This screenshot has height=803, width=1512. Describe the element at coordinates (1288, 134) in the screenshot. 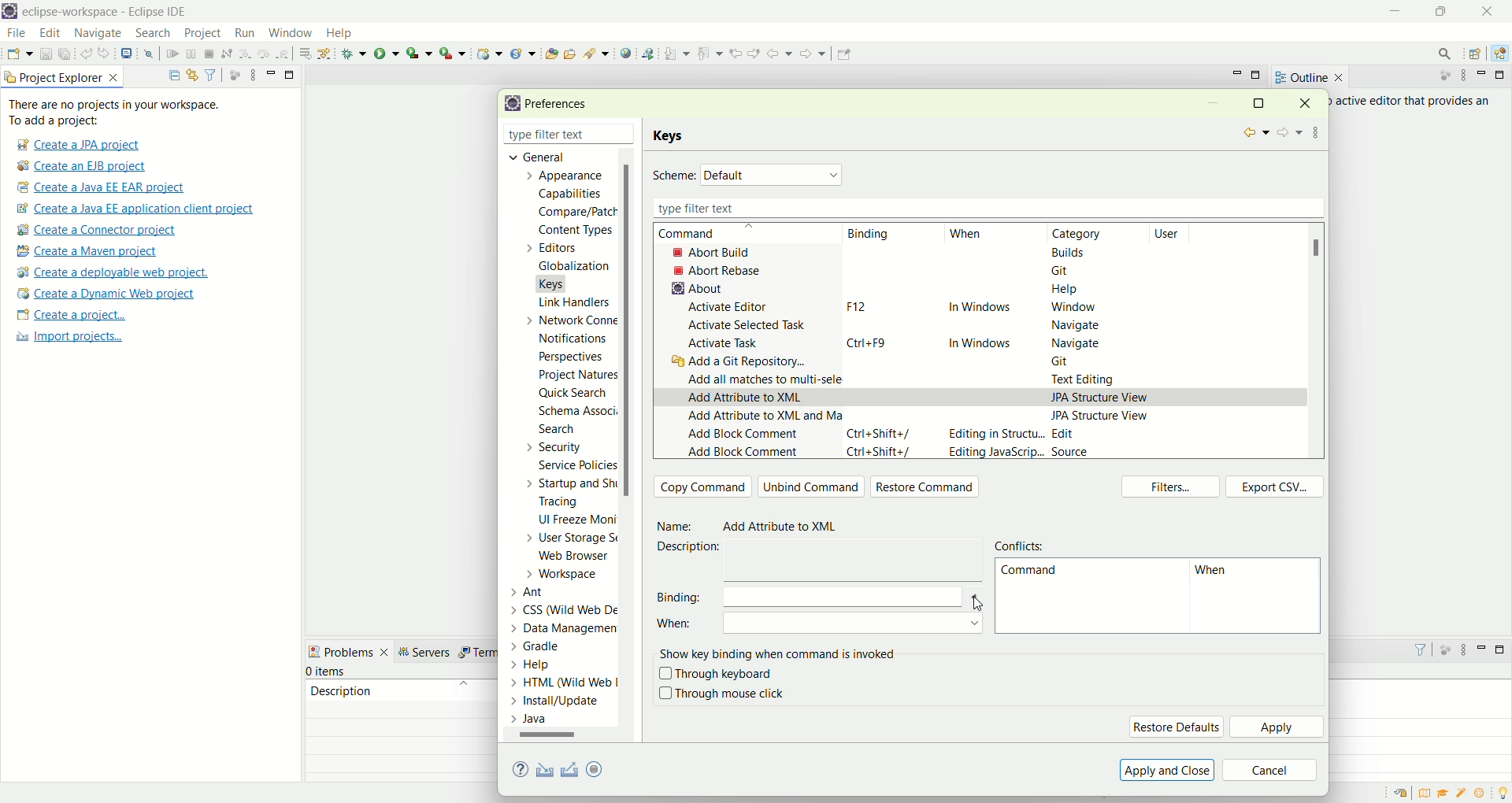

I see `forward` at that location.